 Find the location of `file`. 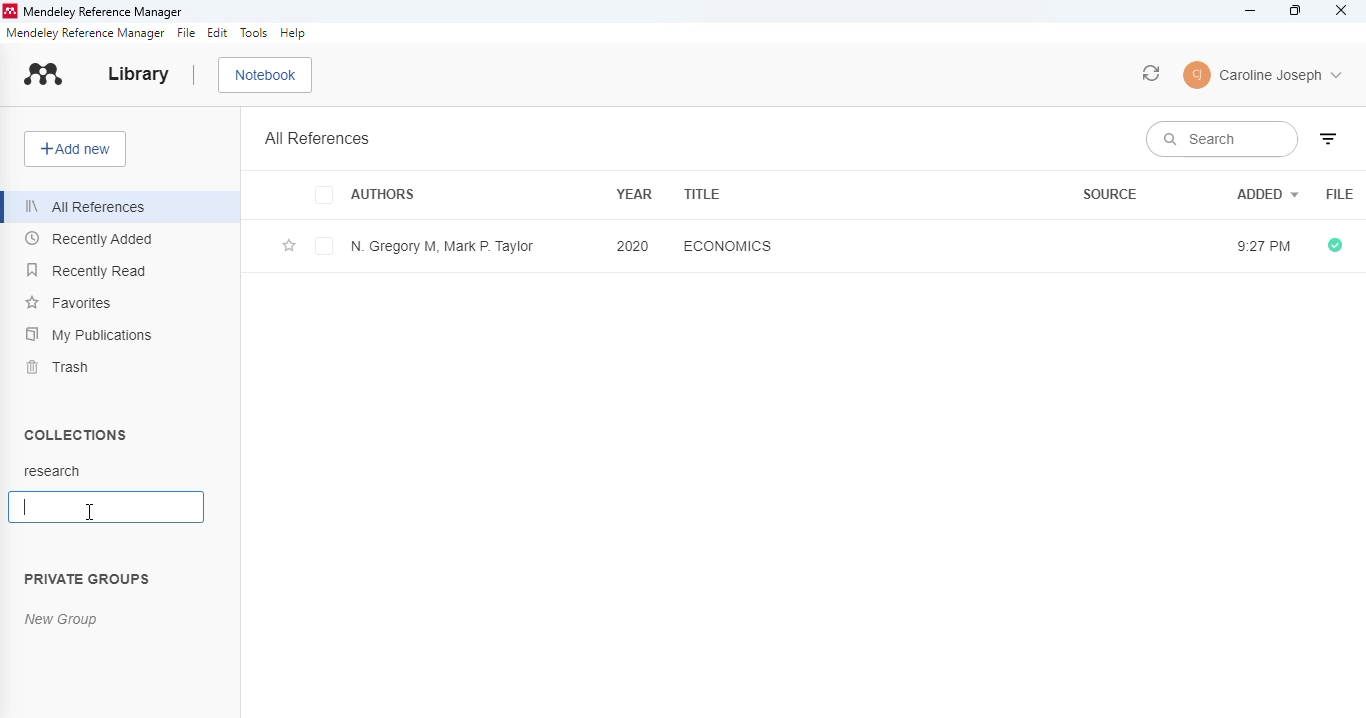

file is located at coordinates (1340, 195).